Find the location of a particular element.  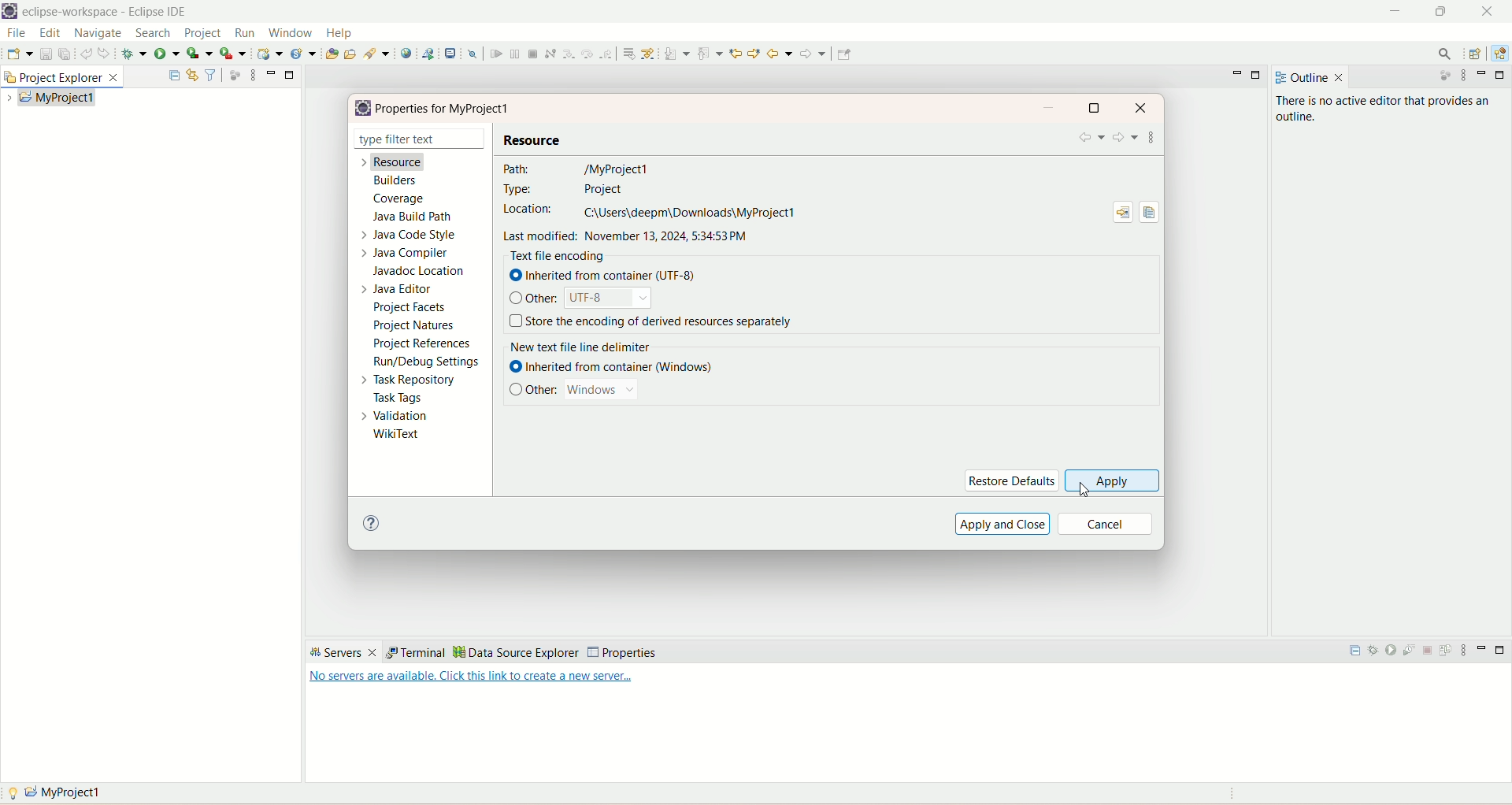

step return is located at coordinates (608, 53).